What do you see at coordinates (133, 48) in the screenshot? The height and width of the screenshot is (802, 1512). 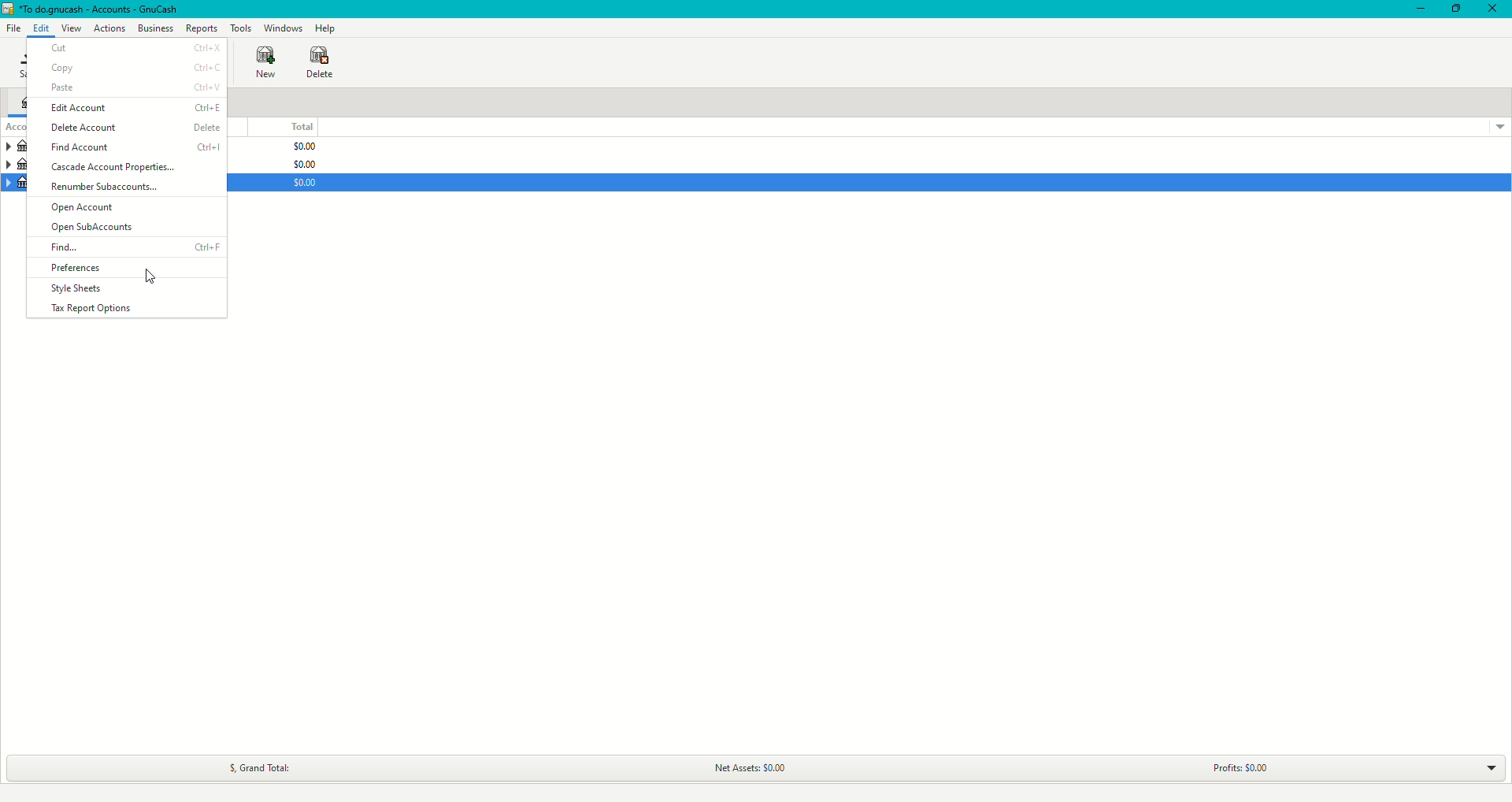 I see `Cut` at bounding box center [133, 48].